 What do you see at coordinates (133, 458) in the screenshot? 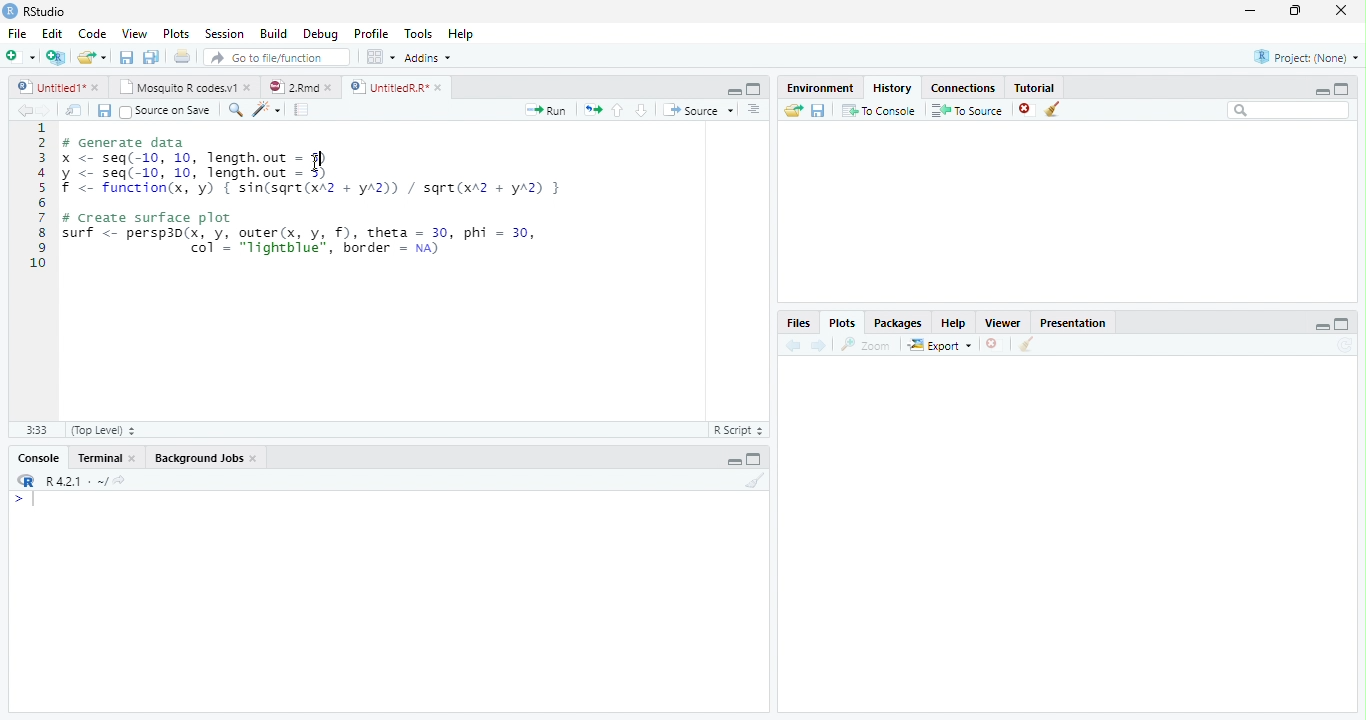
I see `Close` at bounding box center [133, 458].